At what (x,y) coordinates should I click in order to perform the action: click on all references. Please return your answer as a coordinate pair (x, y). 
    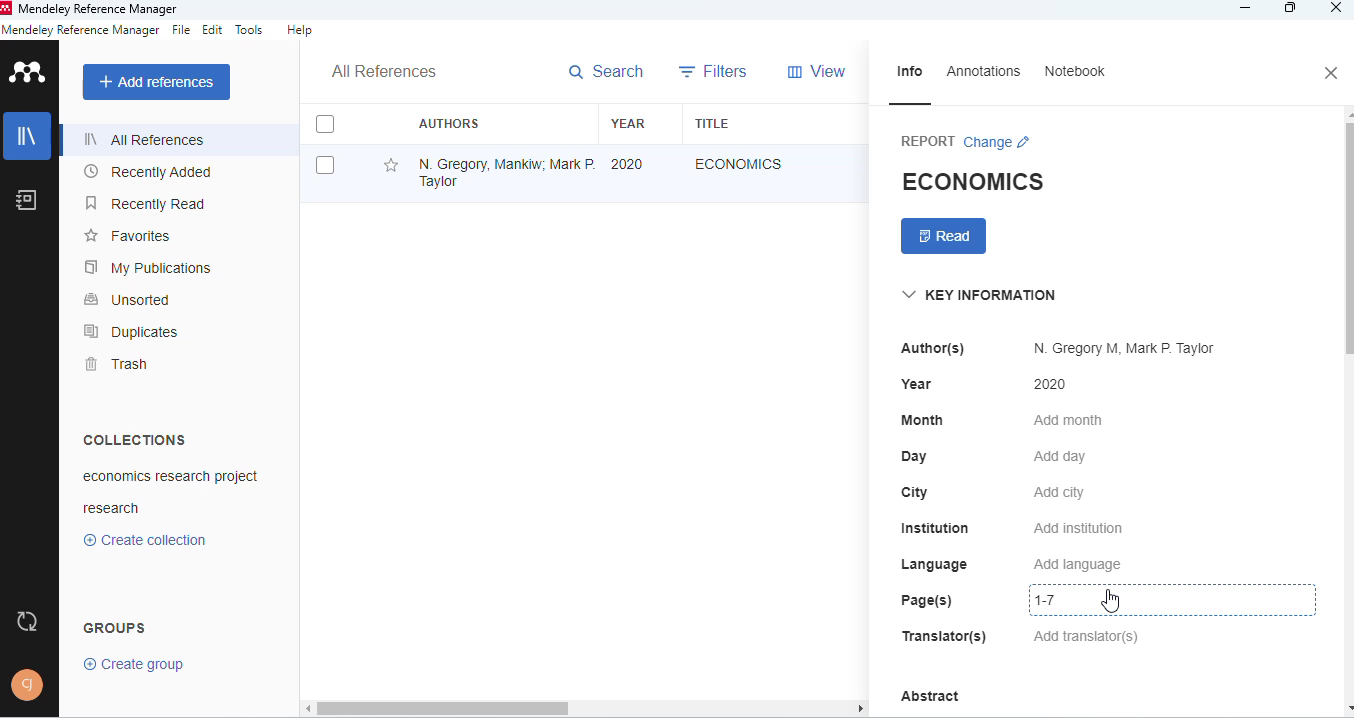
    Looking at the image, I should click on (146, 139).